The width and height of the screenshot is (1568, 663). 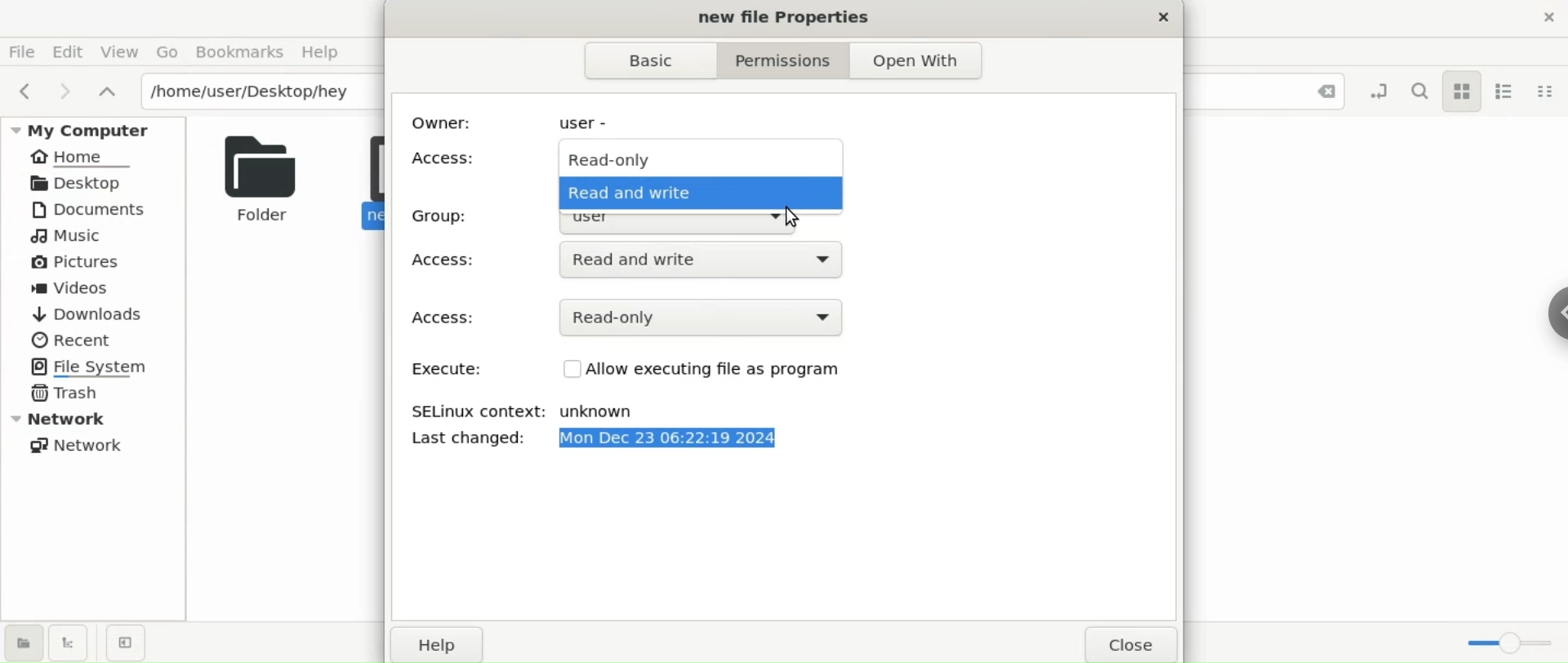 What do you see at coordinates (238, 52) in the screenshot?
I see `Bookmarks` at bounding box center [238, 52].